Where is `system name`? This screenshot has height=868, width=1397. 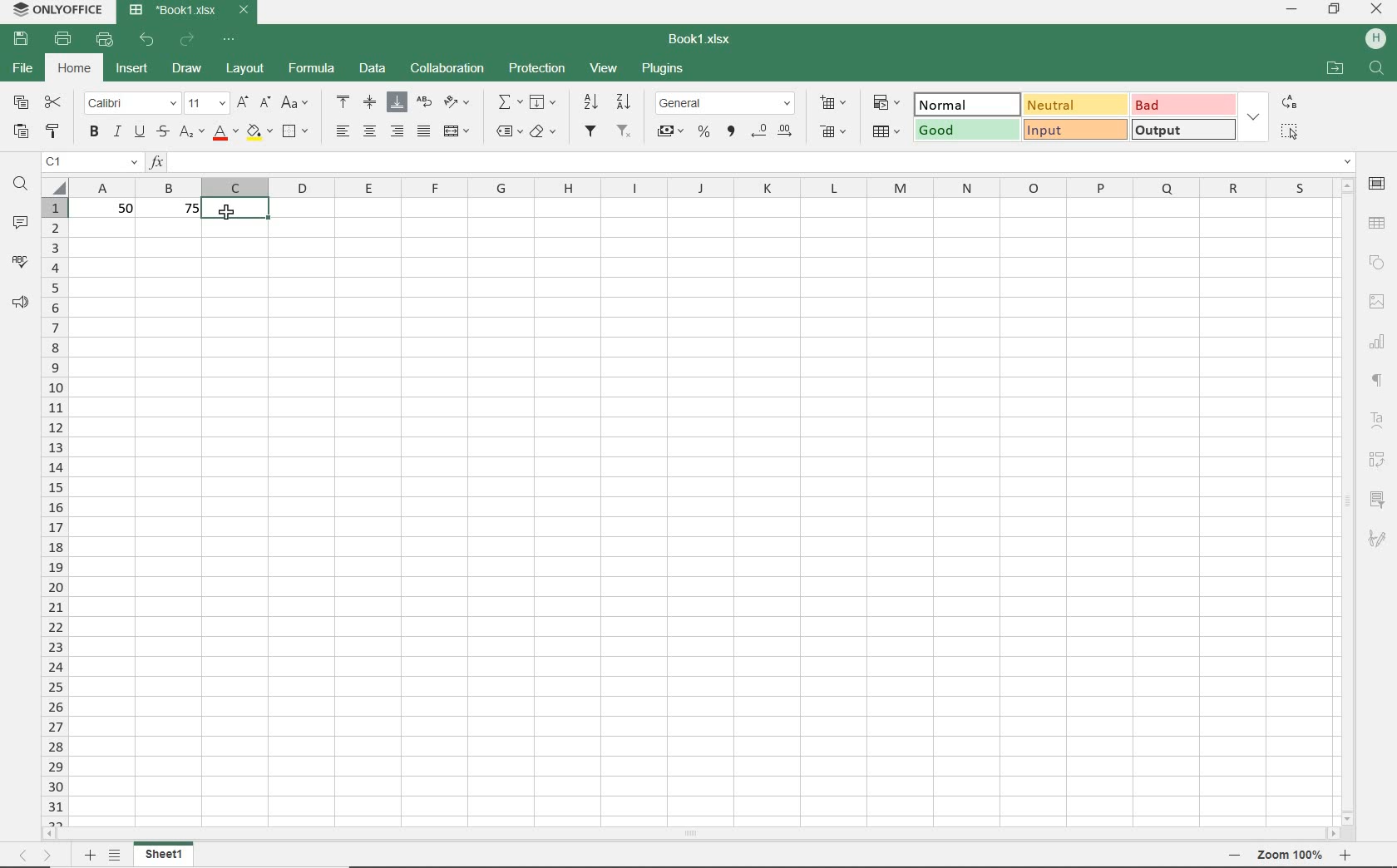
system name is located at coordinates (55, 11).